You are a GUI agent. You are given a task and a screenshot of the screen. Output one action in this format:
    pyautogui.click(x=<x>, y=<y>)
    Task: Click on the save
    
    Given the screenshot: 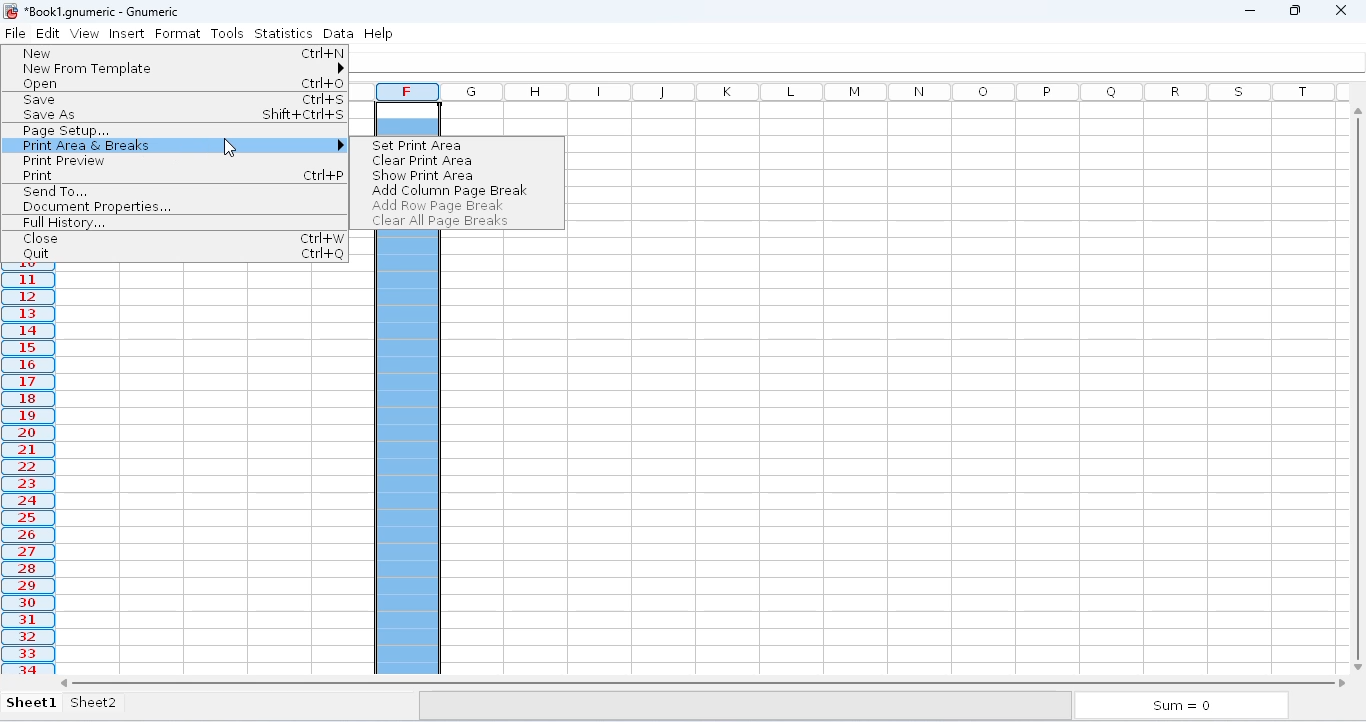 What is the action you would take?
    pyautogui.click(x=40, y=99)
    